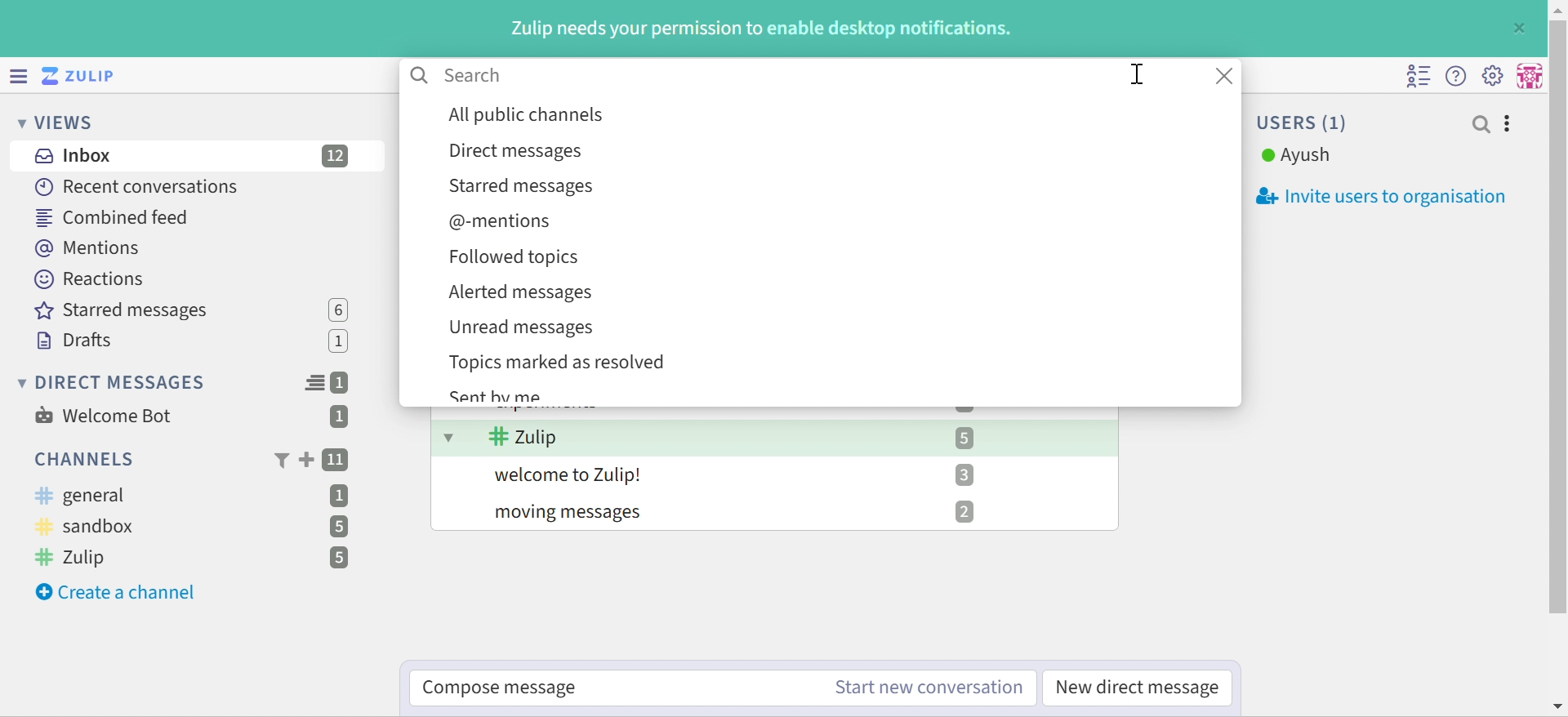 This screenshot has width=1568, height=717. I want to click on Help menu, so click(1458, 75).